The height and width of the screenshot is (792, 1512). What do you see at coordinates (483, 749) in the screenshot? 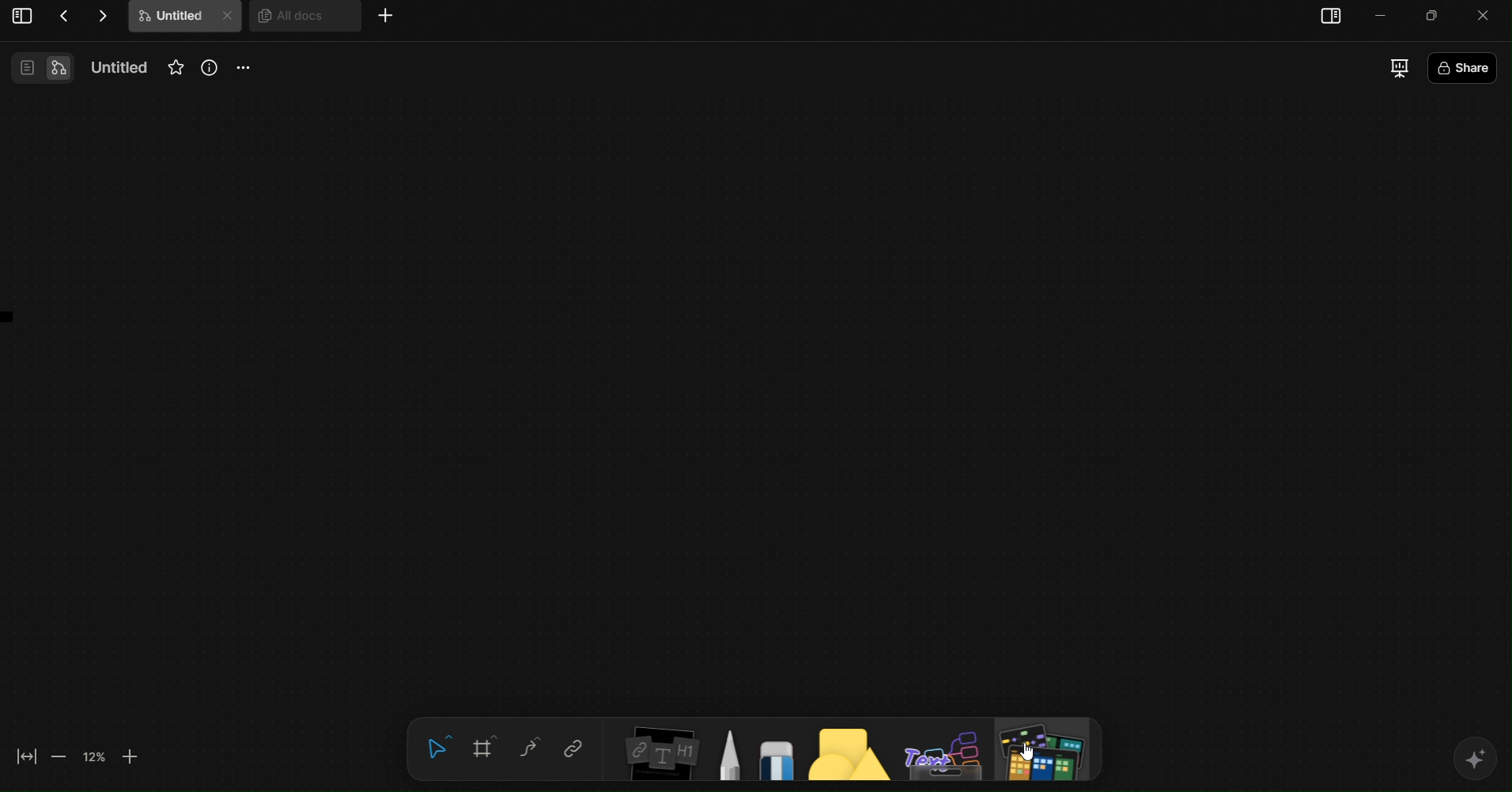
I see `Grid tool` at bounding box center [483, 749].